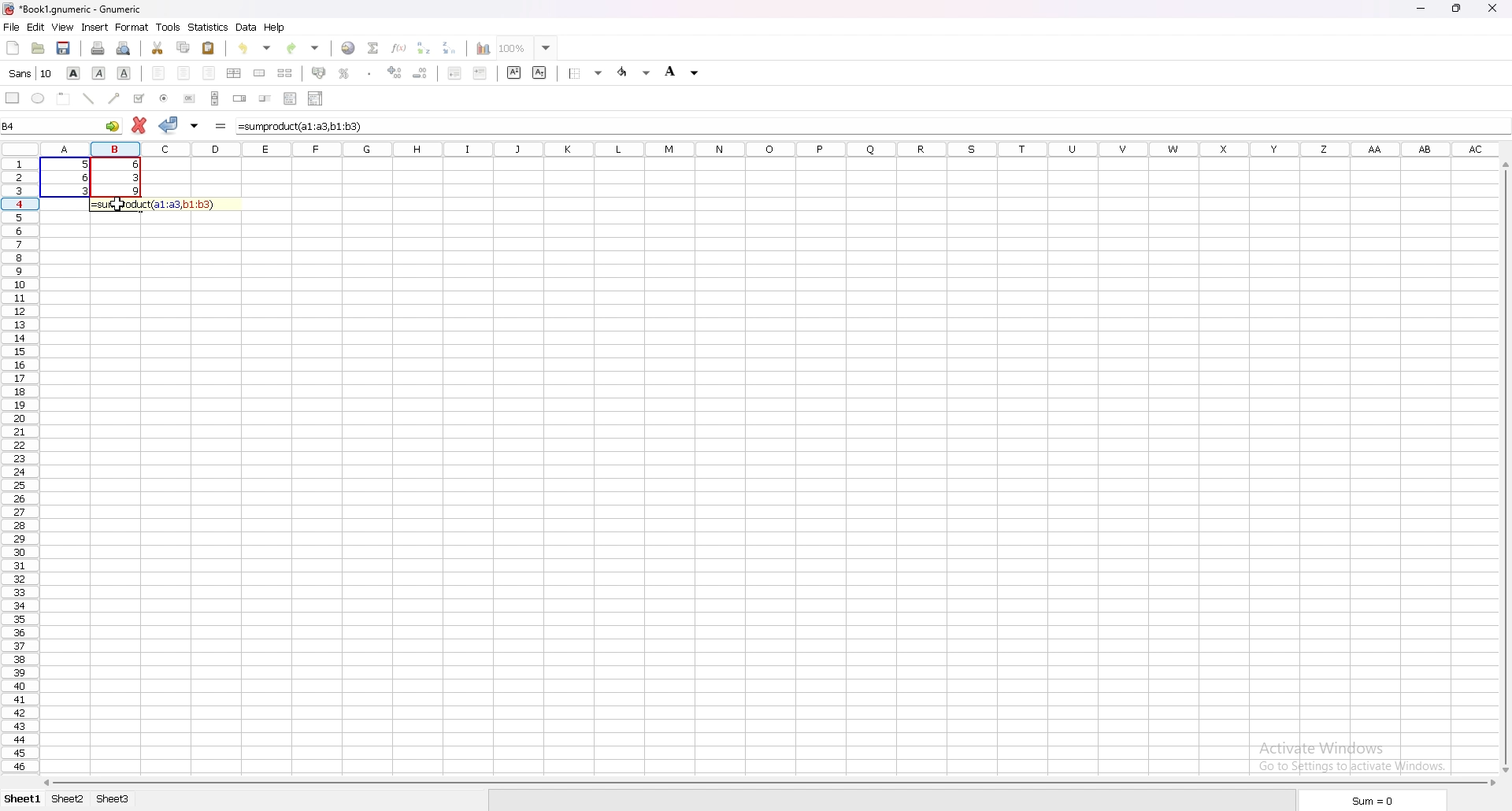 The width and height of the screenshot is (1512, 811). What do you see at coordinates (190, 98) in the screenshot?
I see `button` at bounding box center [190, 98].